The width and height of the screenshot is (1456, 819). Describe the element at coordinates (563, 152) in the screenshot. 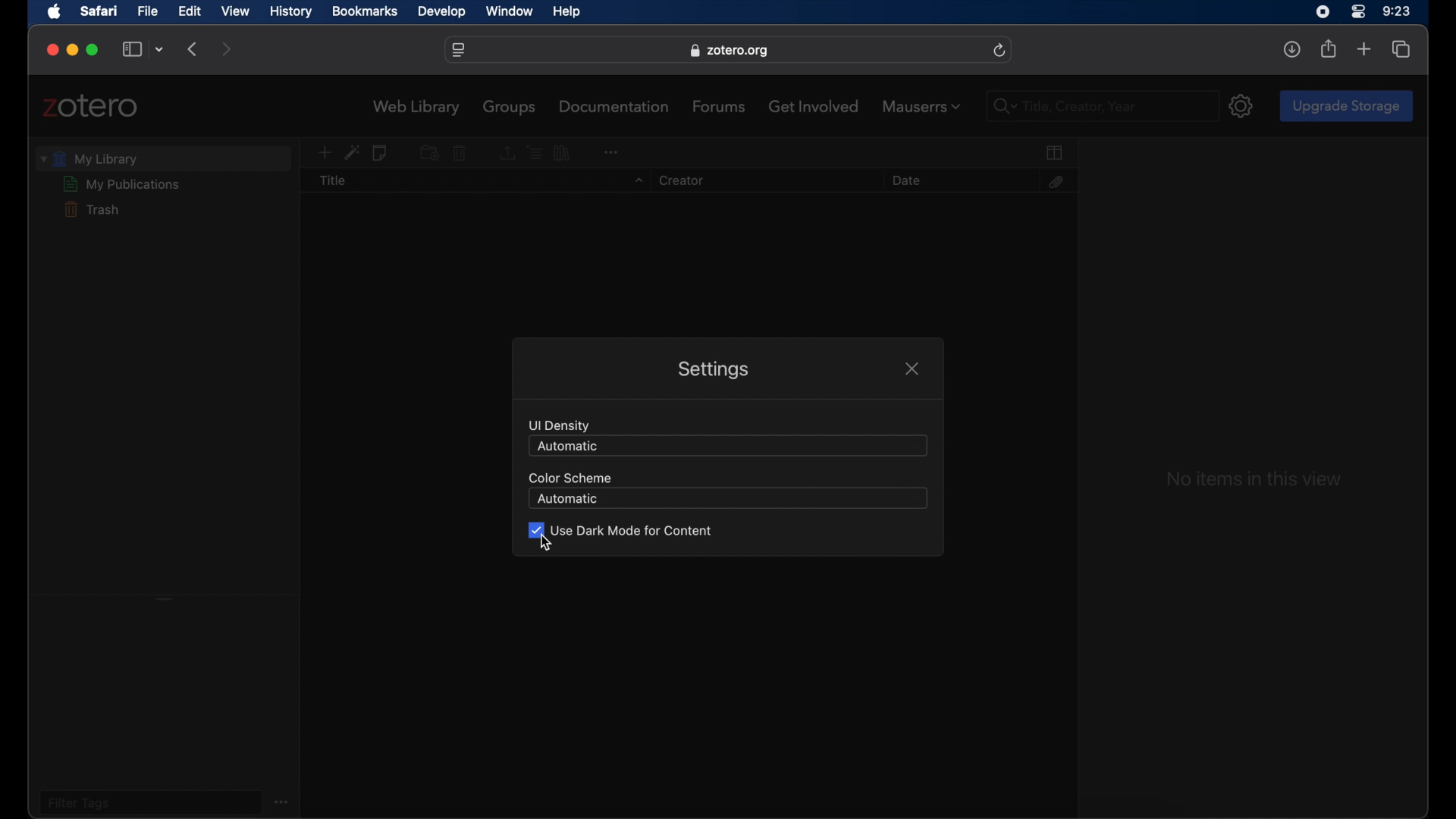

I see `create bibliography` at that location.